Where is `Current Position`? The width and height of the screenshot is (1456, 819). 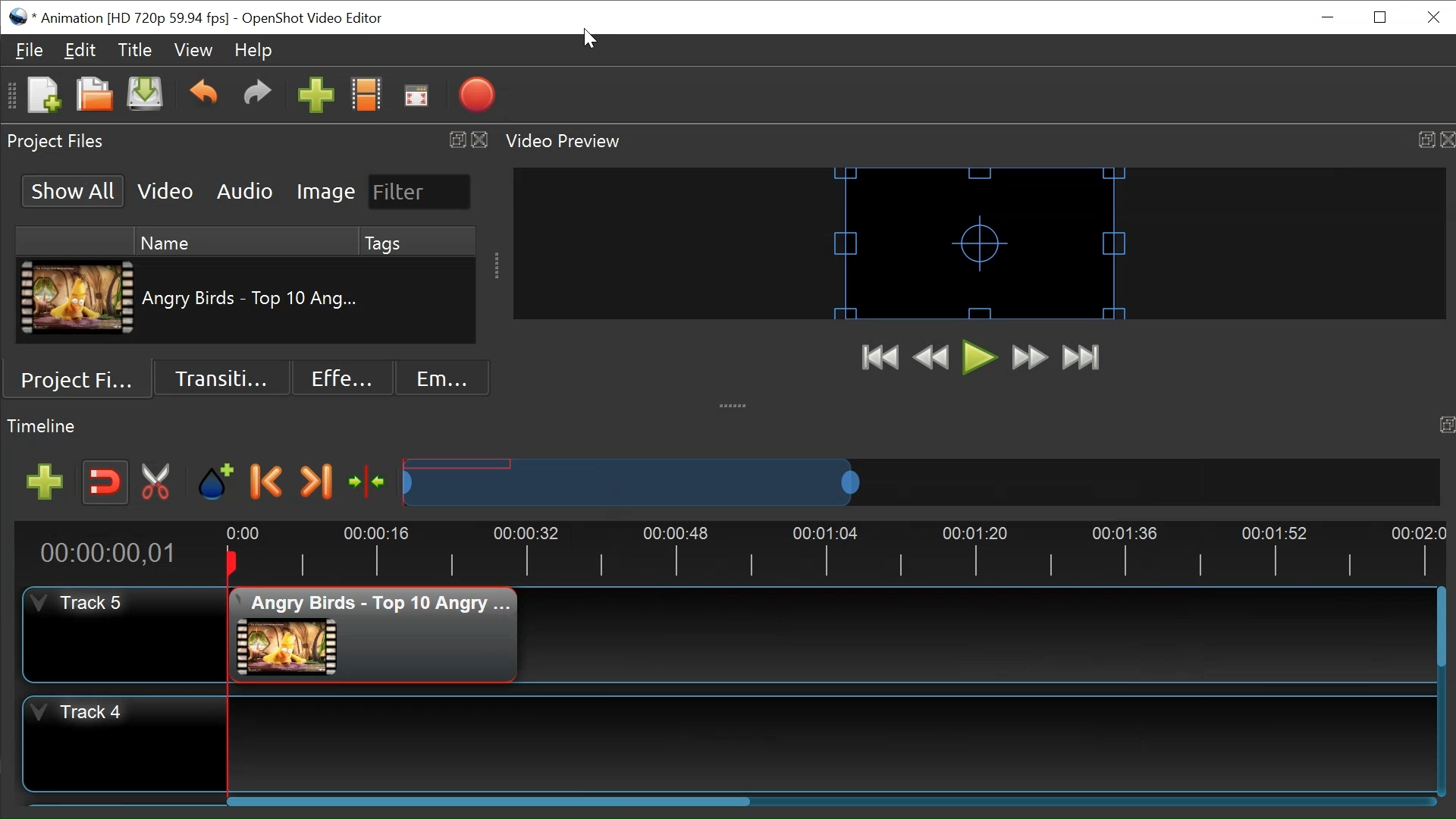 Current Position is located at coordinates (111, 555).